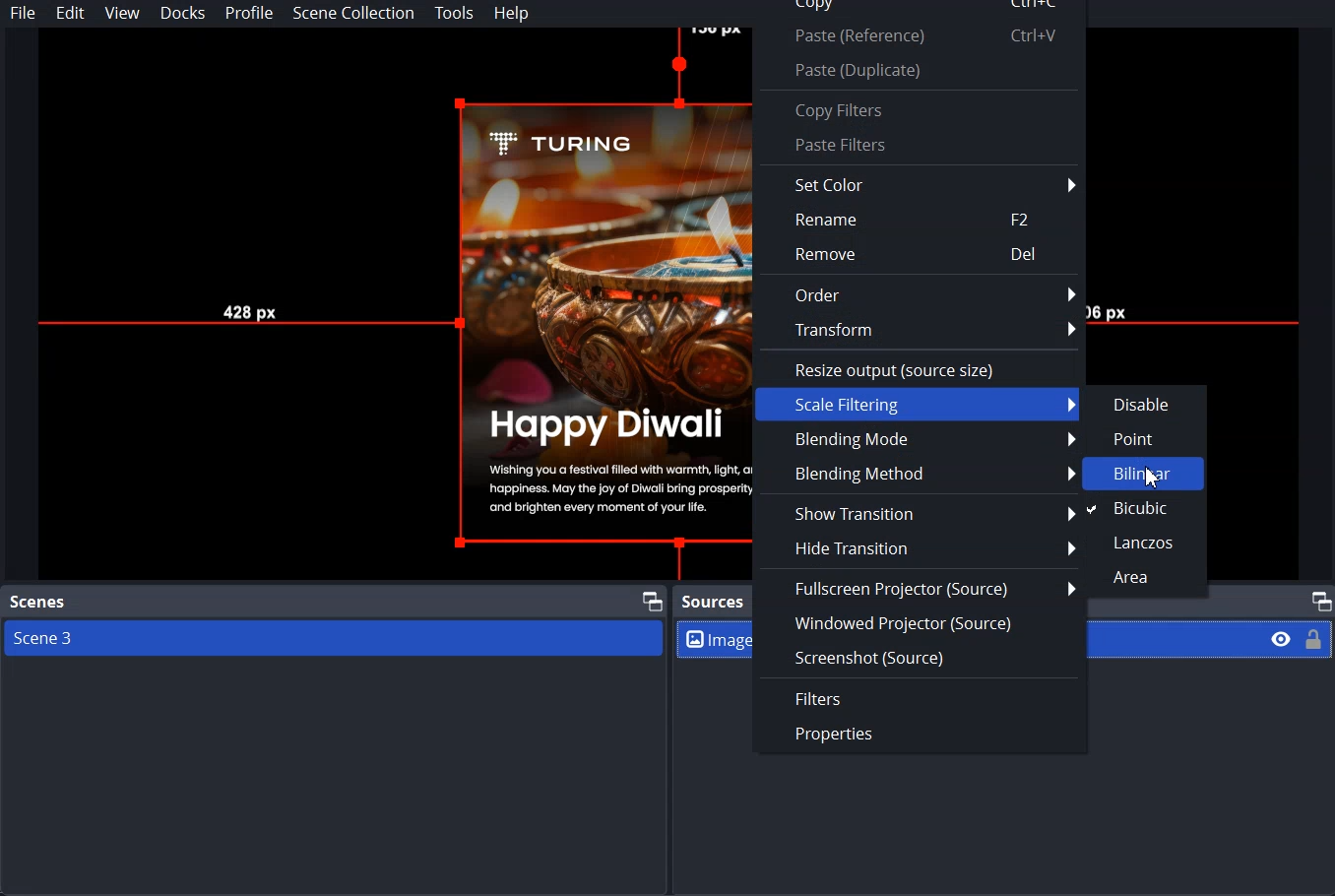  Describe the element at coordinates (1314, 638) in the screenshot. I see `Lock` at that location.